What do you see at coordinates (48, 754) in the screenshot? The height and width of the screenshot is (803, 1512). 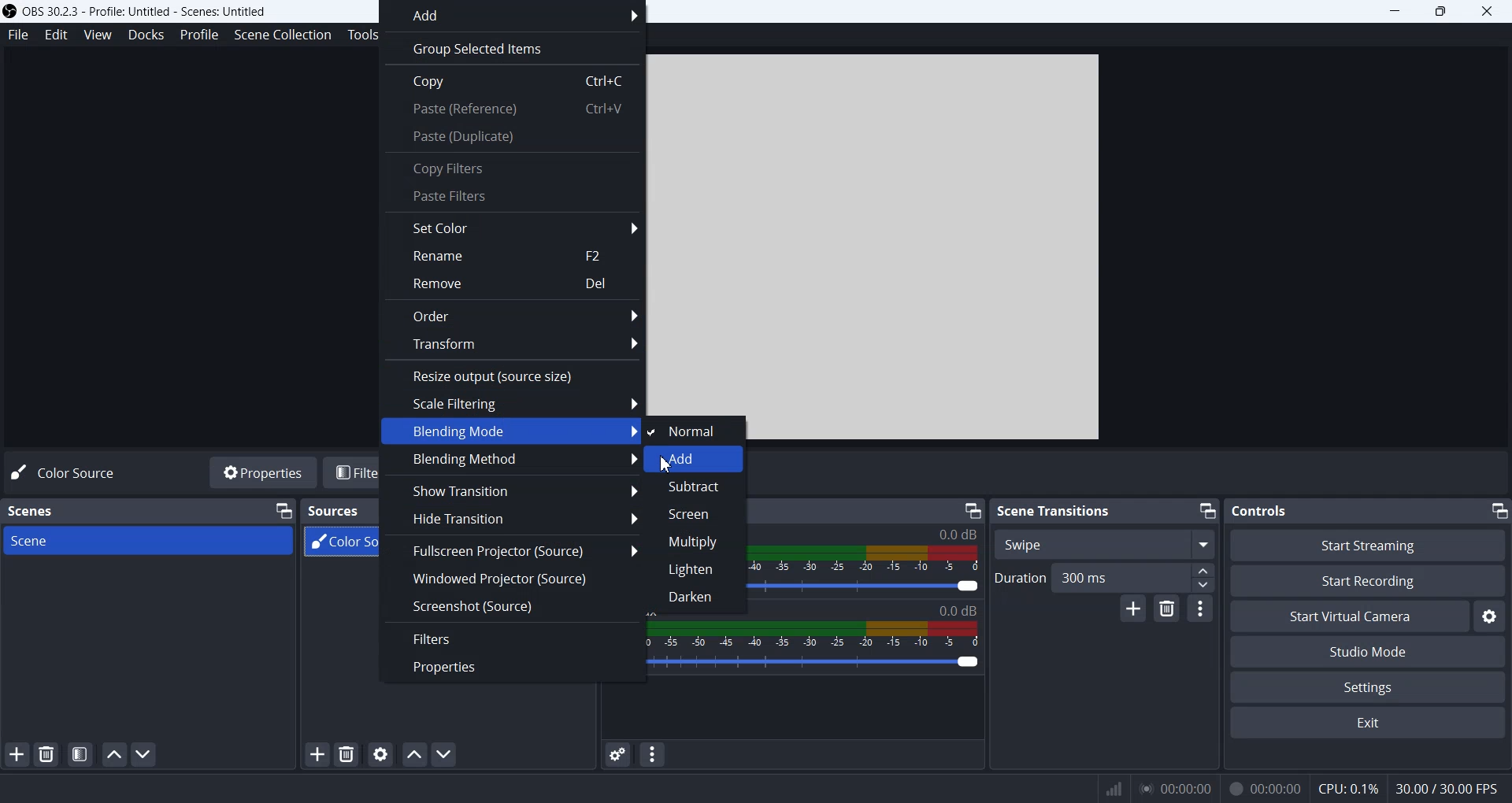 I see `Remove Selected Scene` at bounding box center [48, 754].